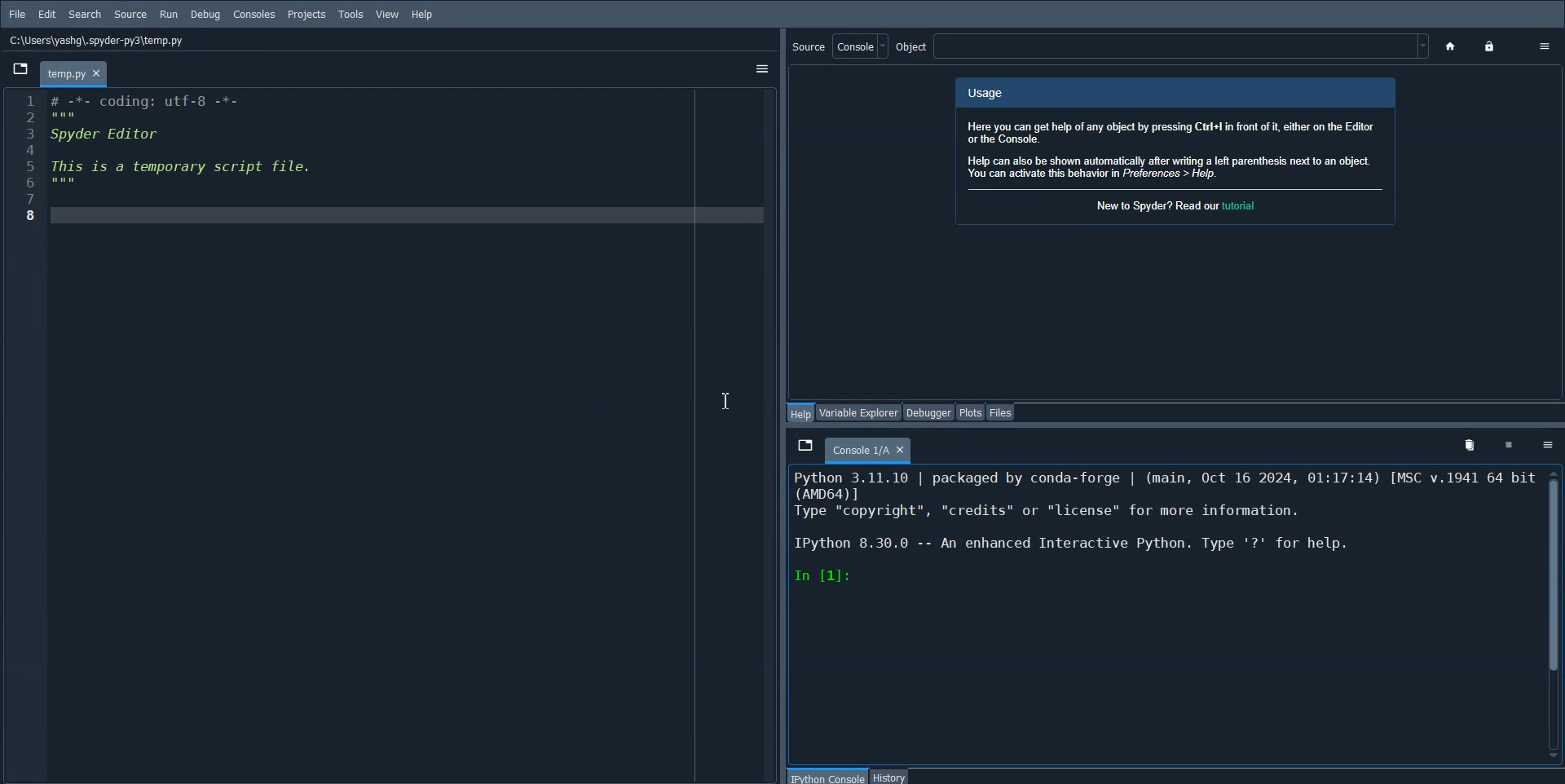 The width and height of the screenshot is (1565, 784). What do you see at coordinates (802, 412) in the screenshot?
I see `Help` at bounding box center [802, 412].